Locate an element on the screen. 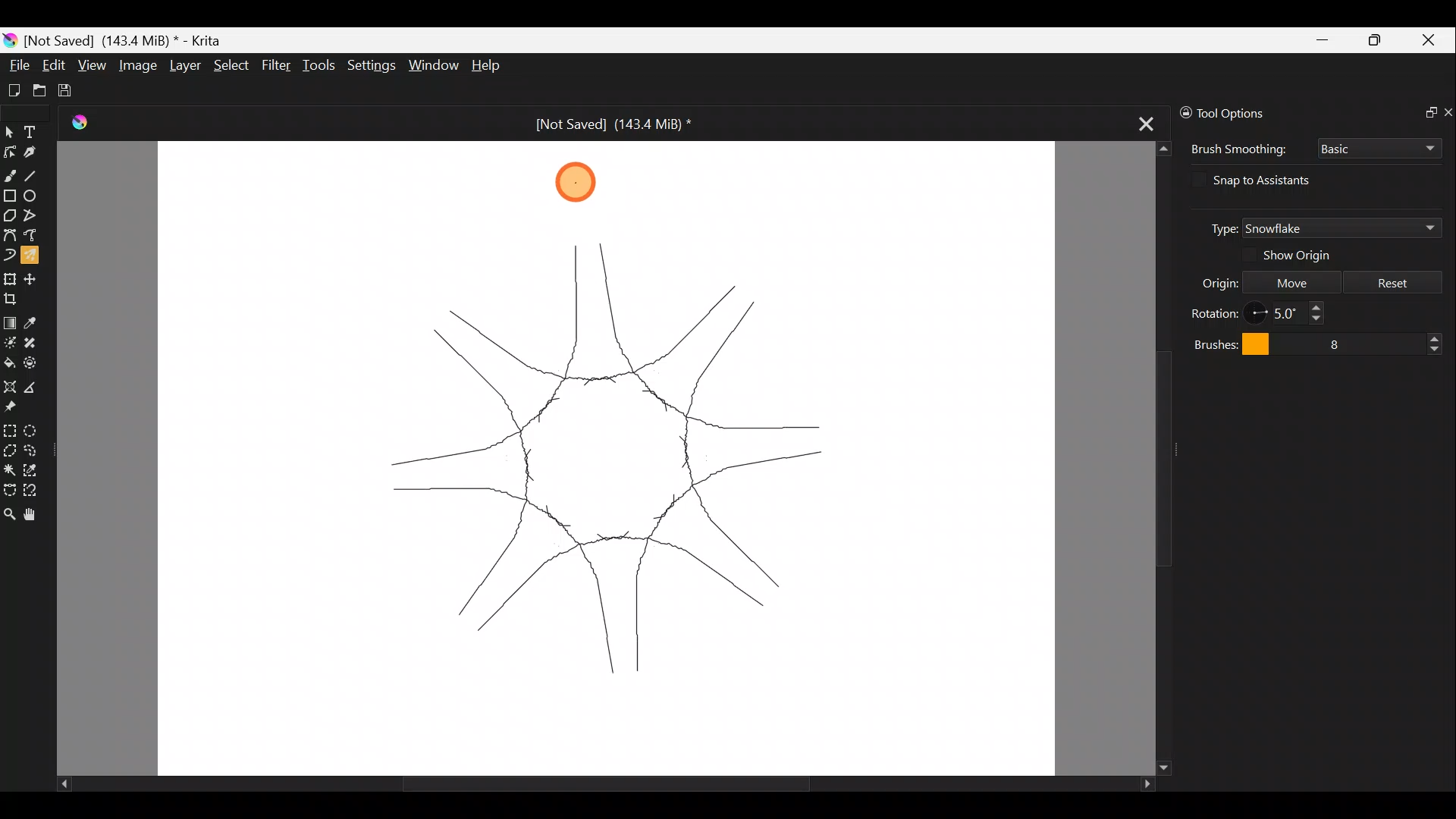 Image resolution: width=1456 pixels, height=819 pixels. Snowflake is located at coordinates (1341, 228).